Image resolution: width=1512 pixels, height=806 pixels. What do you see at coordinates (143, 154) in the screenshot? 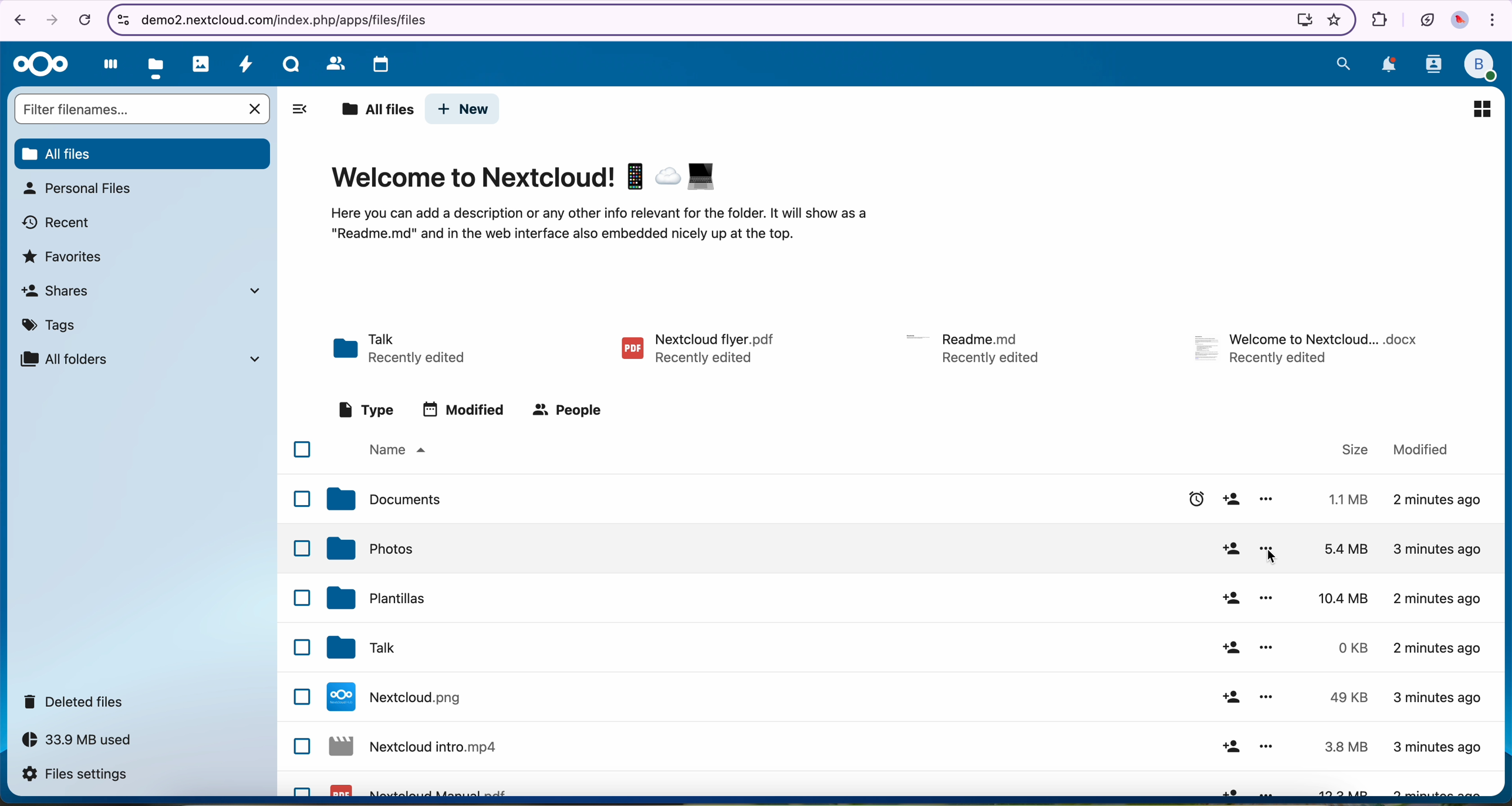
I see `all files` at bounding box center [143, 154].